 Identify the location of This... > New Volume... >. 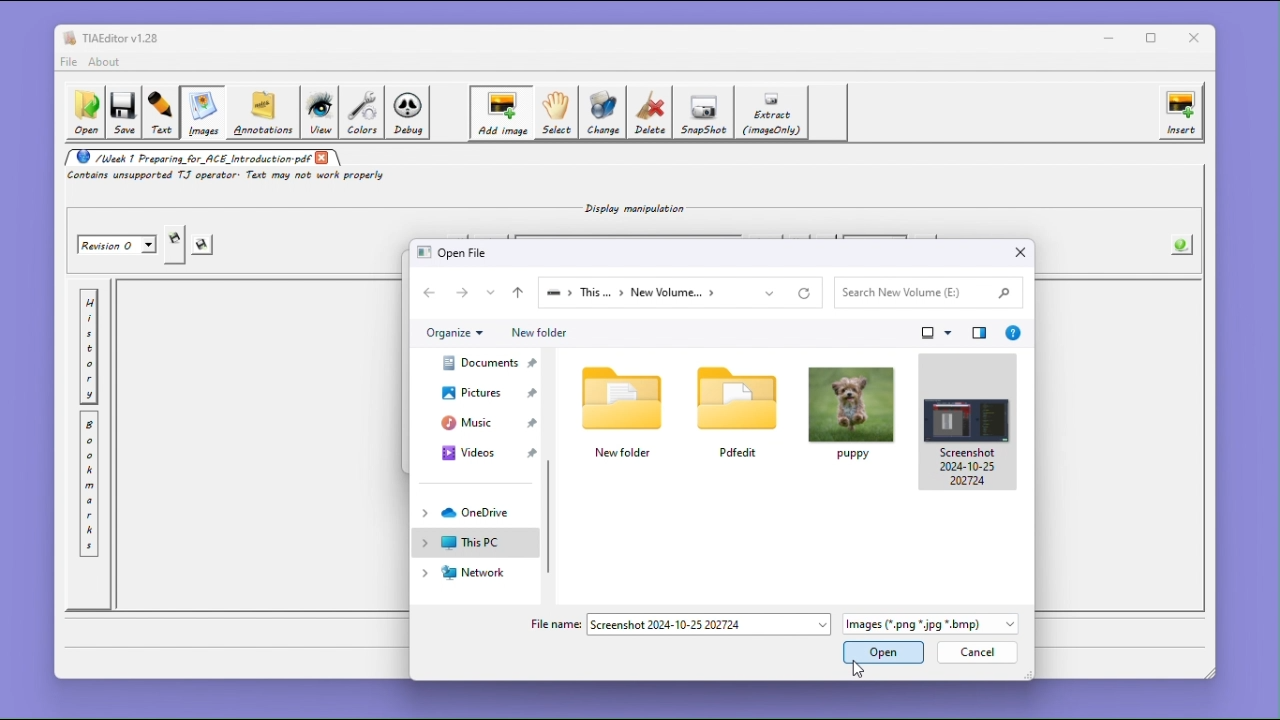
(658, 293).